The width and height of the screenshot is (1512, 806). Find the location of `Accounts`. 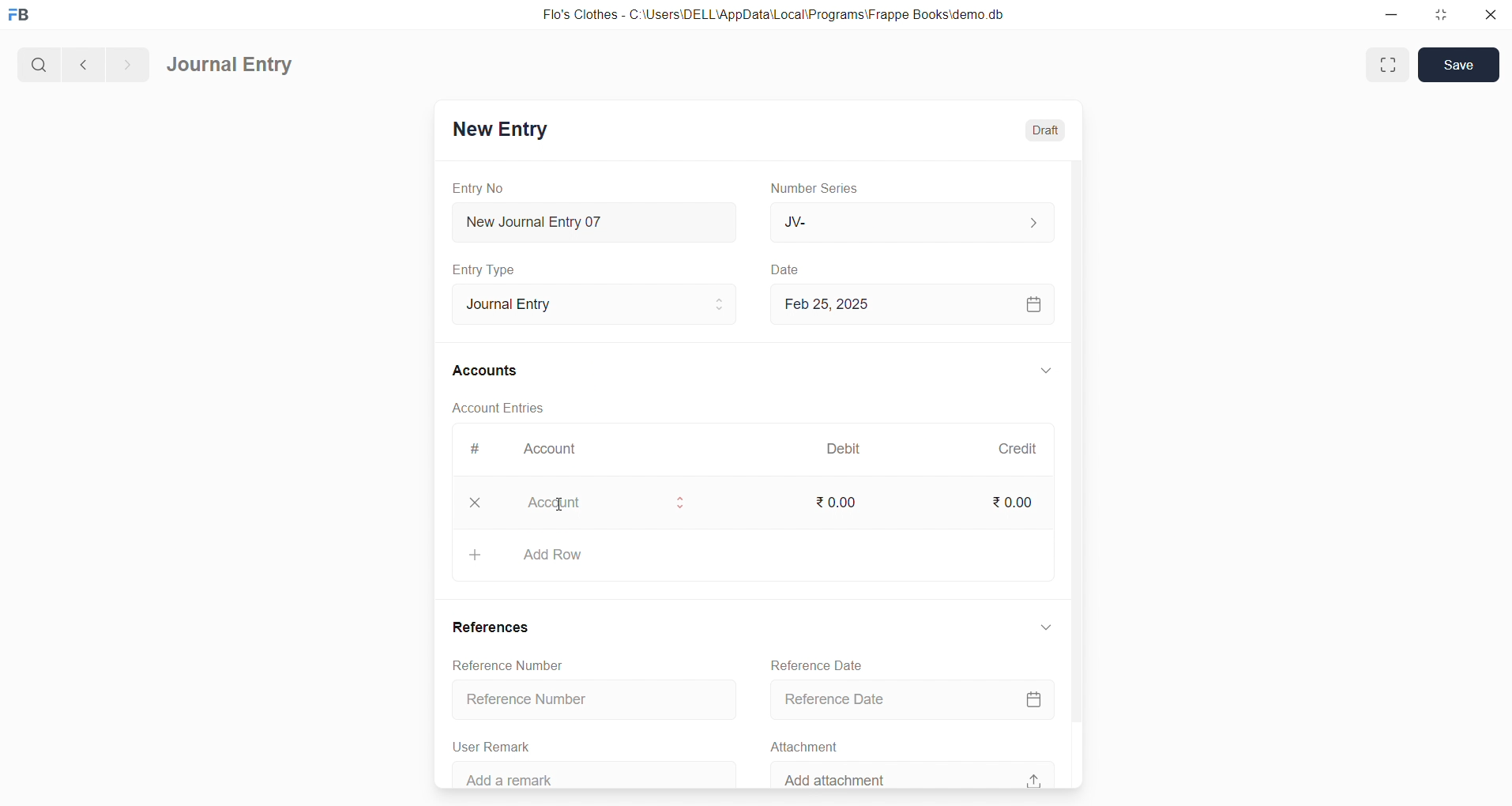

Accounts is located at coordinates (486, 372).